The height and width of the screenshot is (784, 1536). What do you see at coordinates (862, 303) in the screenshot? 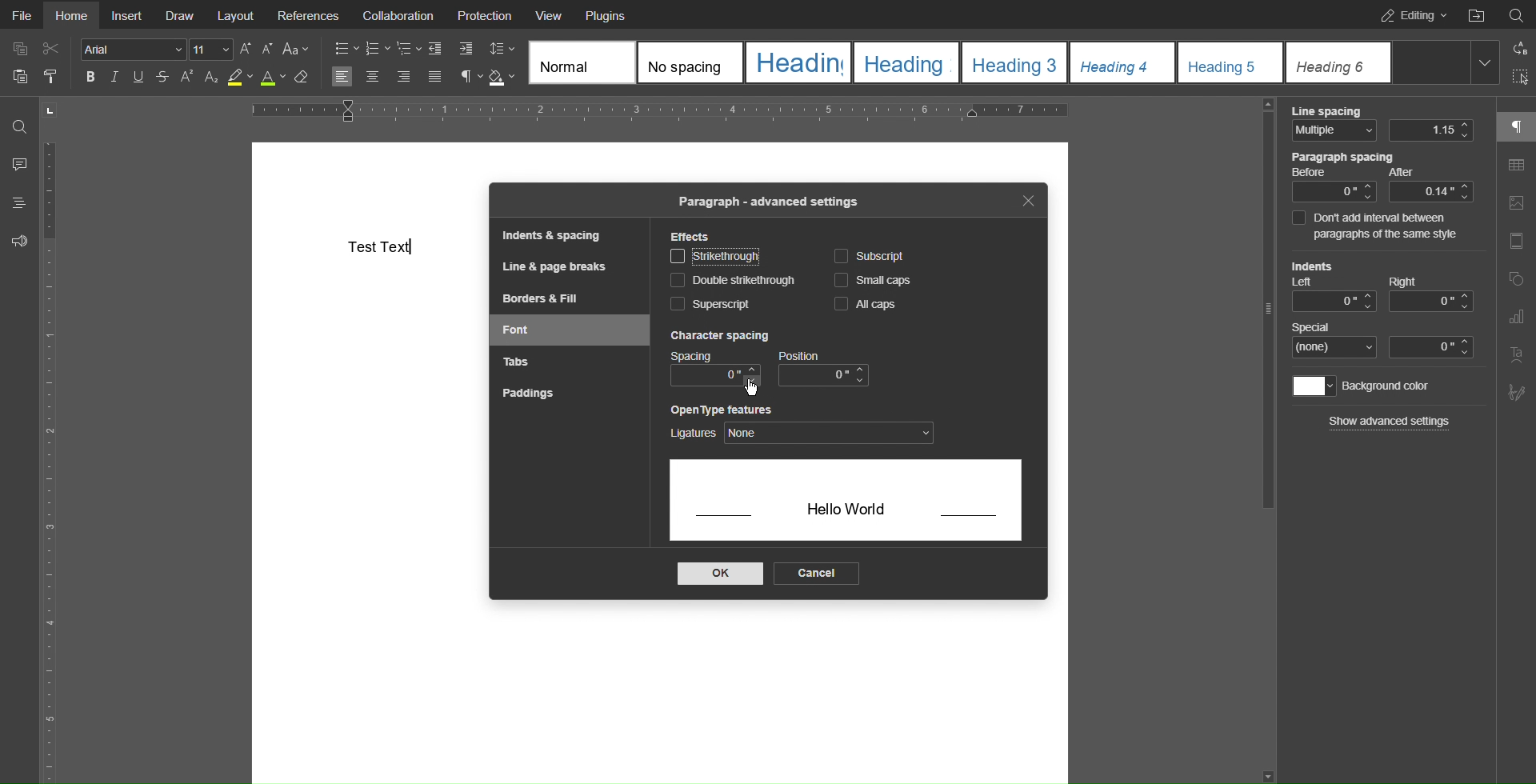
I see `All caps` at bounding box center [862, 303].